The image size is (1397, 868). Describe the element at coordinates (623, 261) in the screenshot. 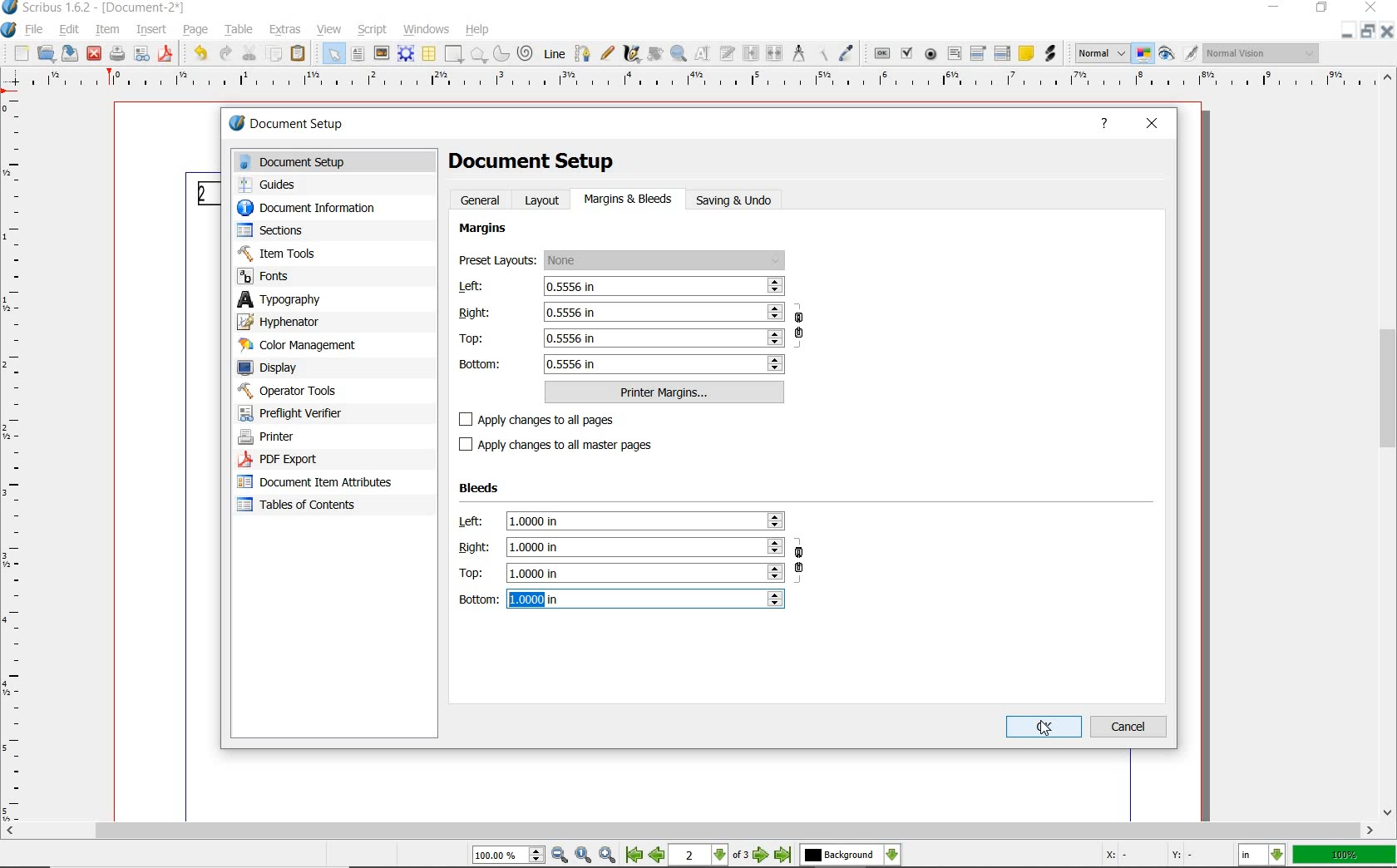

I see `preset layouts` at that location.